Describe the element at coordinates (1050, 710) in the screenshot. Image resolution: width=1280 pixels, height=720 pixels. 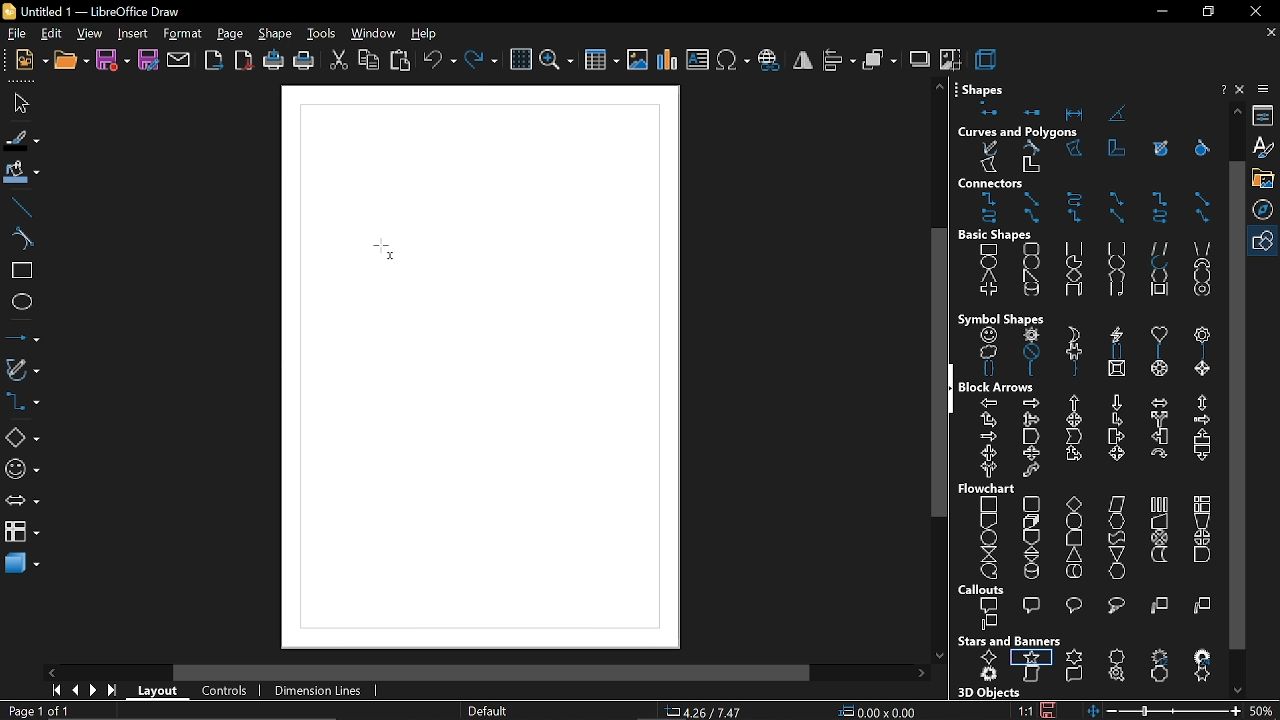
I see `save` at that location.